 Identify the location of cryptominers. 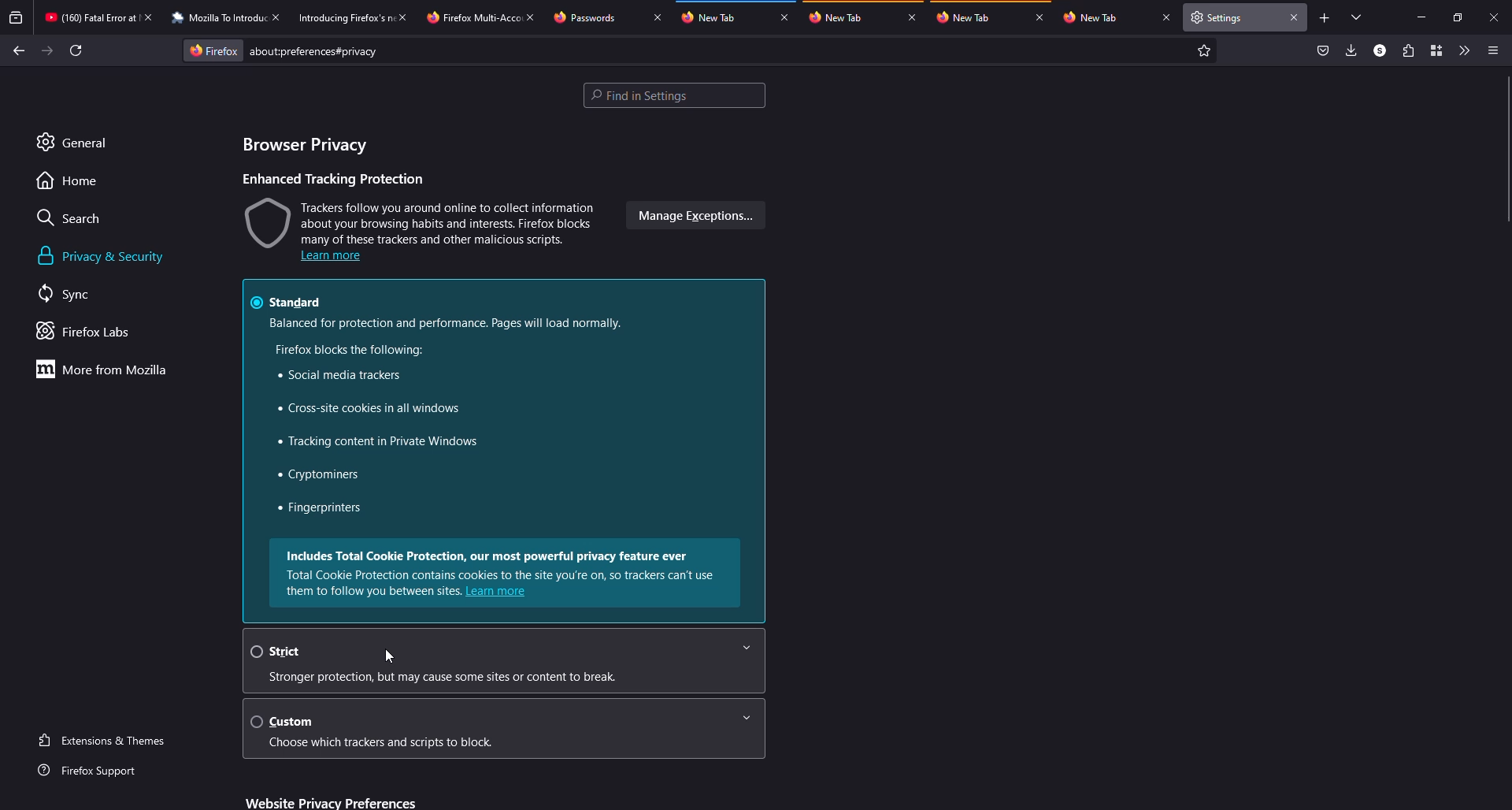
(321, 475).